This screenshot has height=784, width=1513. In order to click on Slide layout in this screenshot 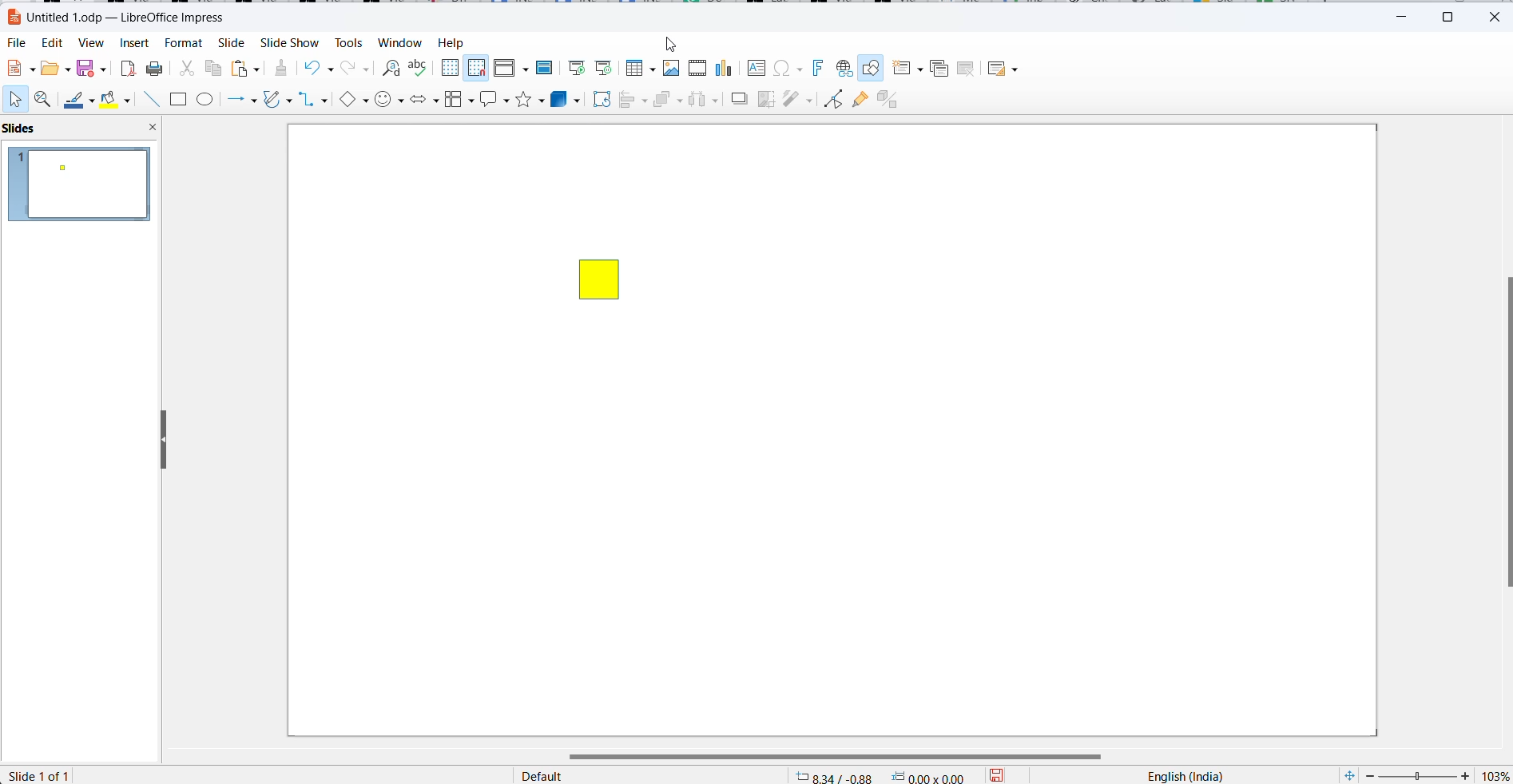, I will do `click(1006, 69)`.